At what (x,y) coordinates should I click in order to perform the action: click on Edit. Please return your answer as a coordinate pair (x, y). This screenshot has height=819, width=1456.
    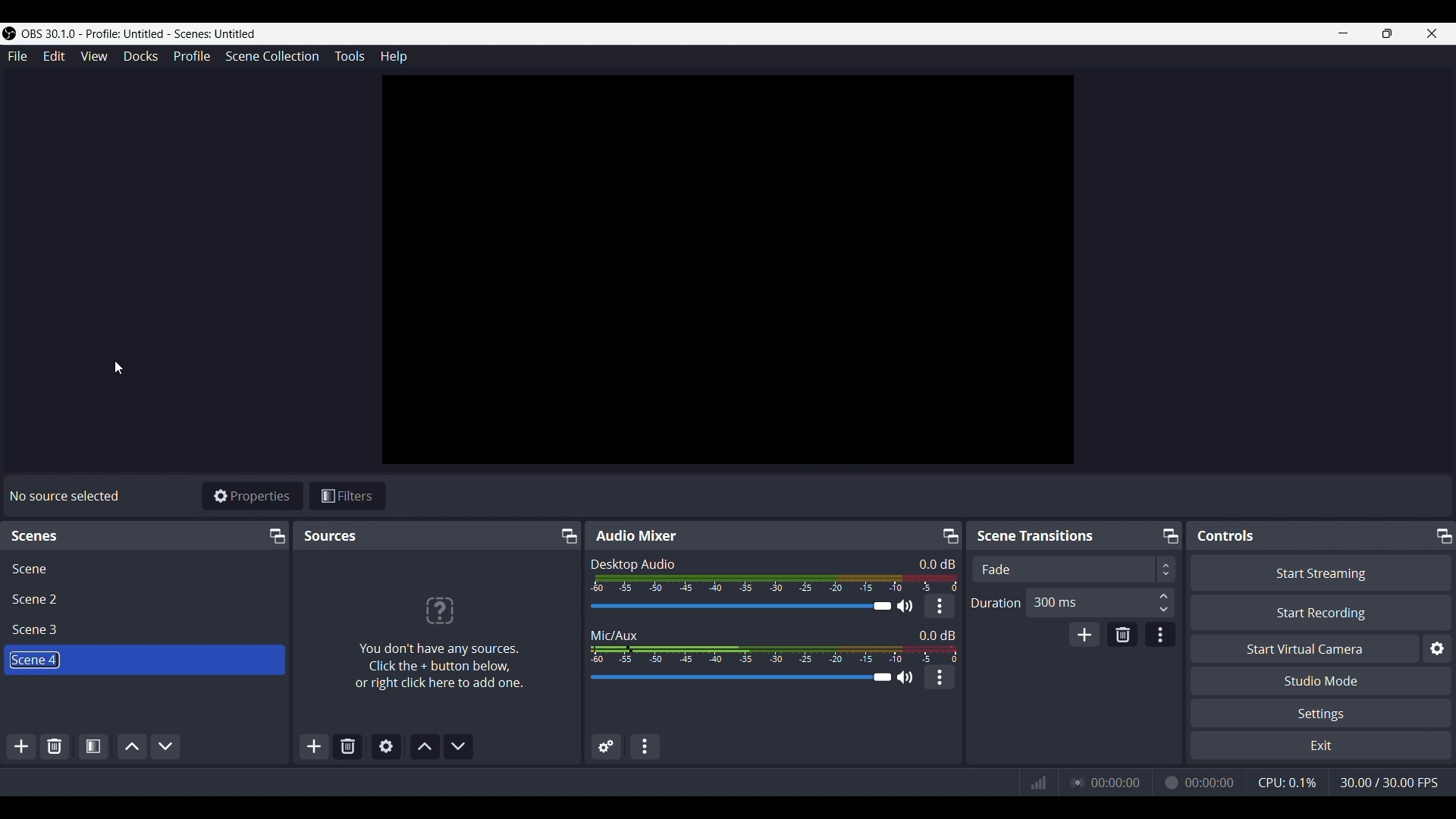
    Looking at the image, I should click on (54, 58).